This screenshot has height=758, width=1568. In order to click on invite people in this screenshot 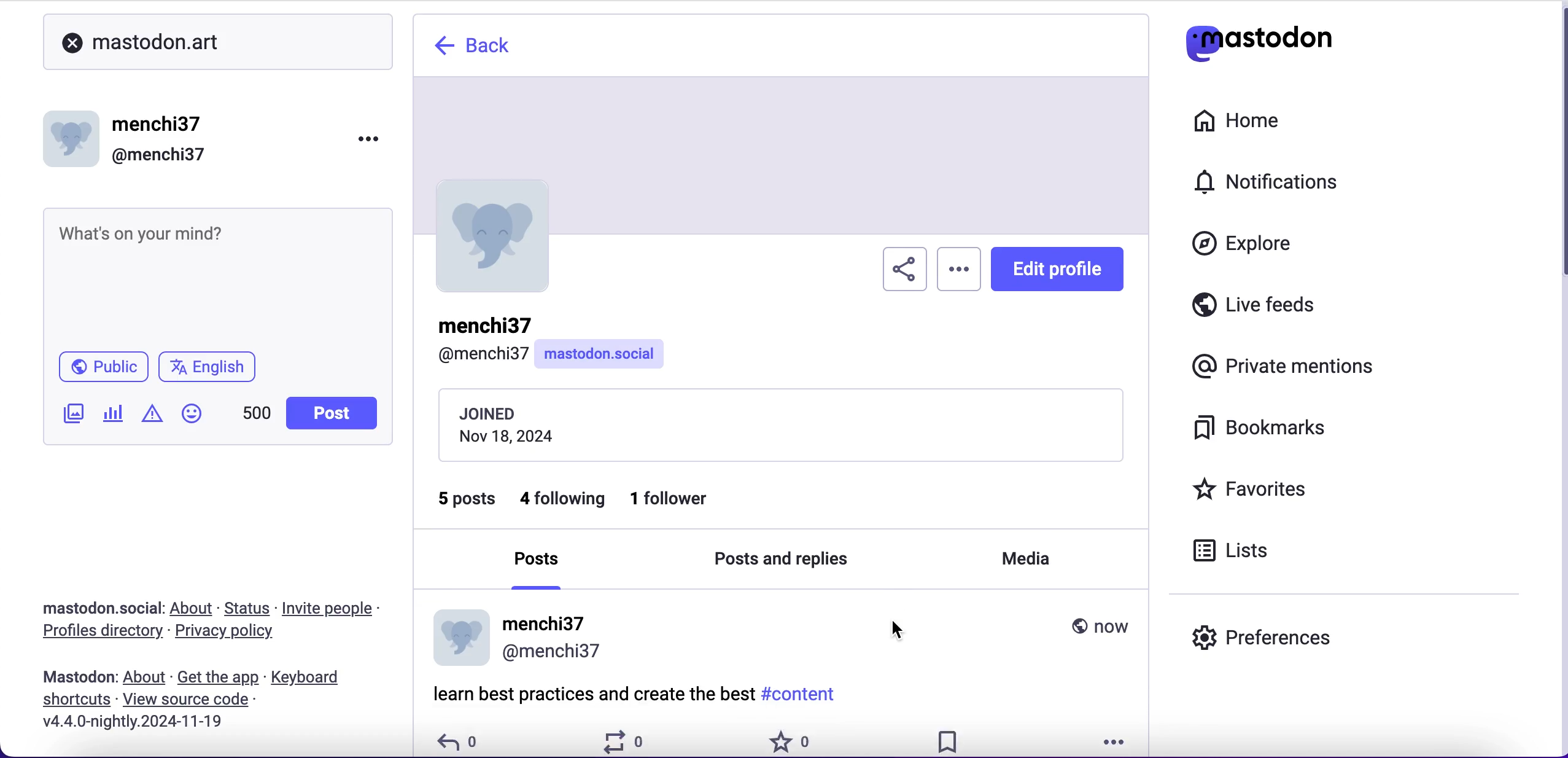, I will do `click(340, 608)`.